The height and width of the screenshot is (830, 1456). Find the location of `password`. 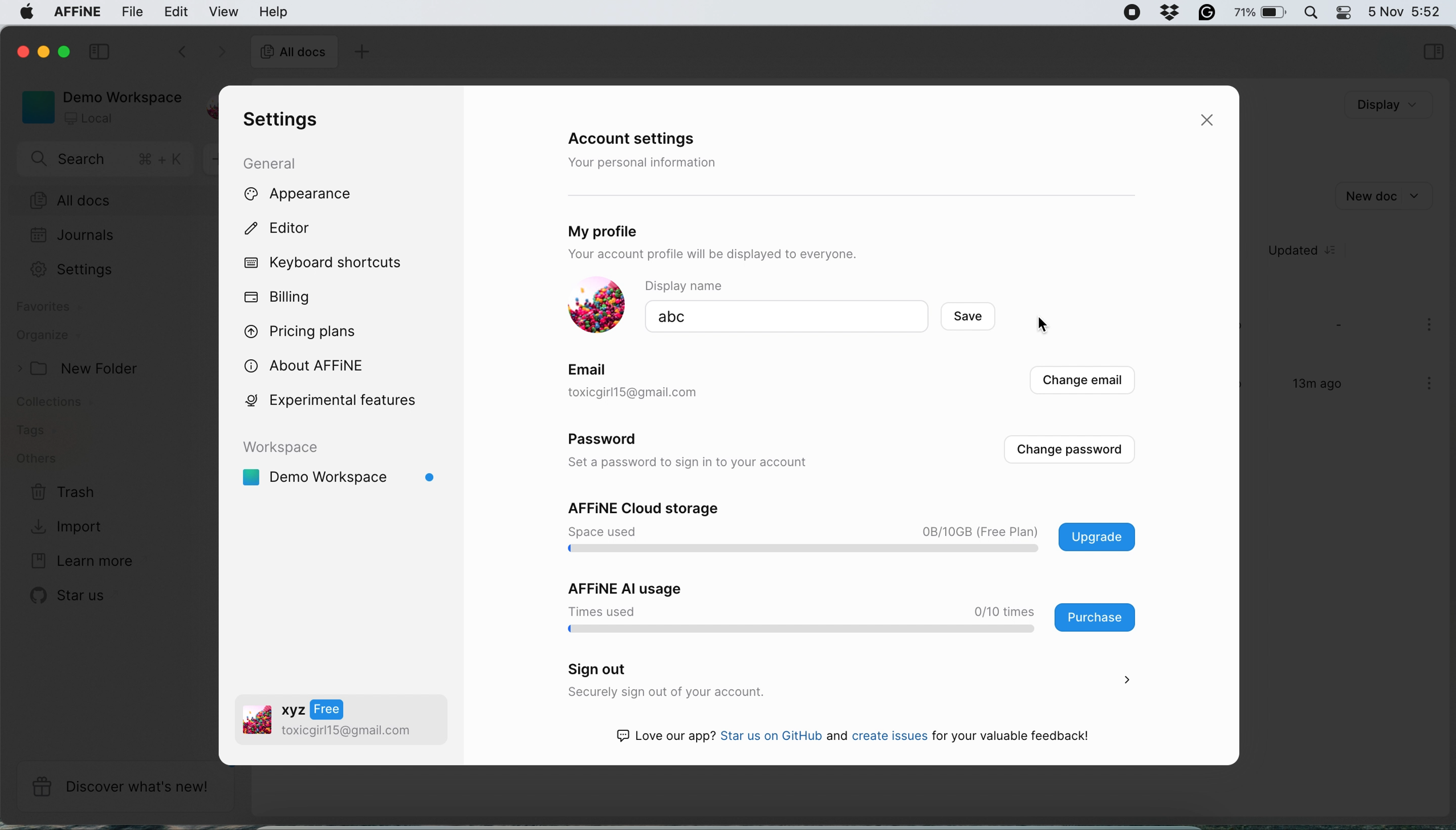

password is located at coordinates (610, 442).